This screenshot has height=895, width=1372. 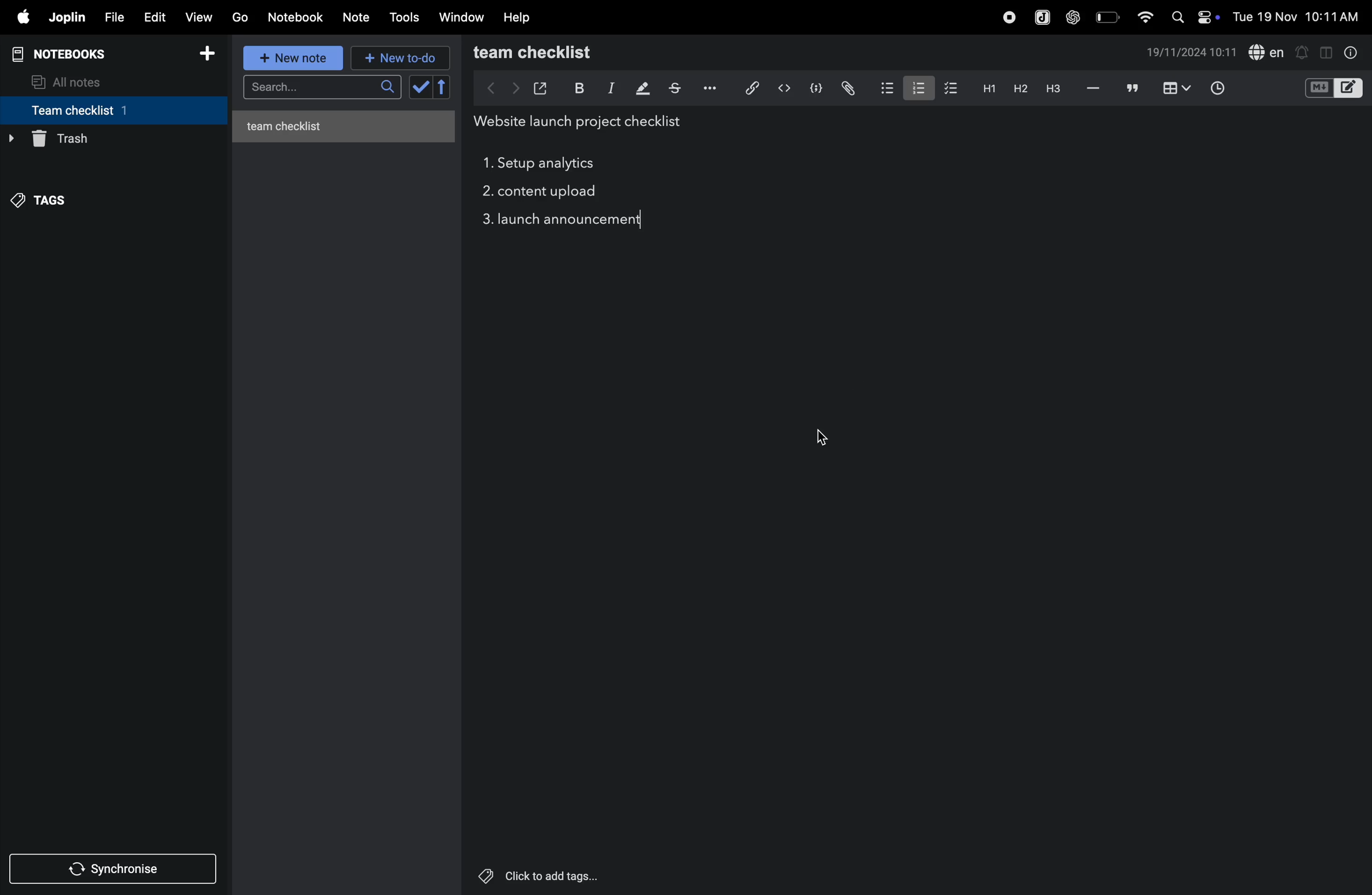 What do you see at coordinates (485, 88) in the screenshot?
I see `backward` at bounding box center [485, 88].